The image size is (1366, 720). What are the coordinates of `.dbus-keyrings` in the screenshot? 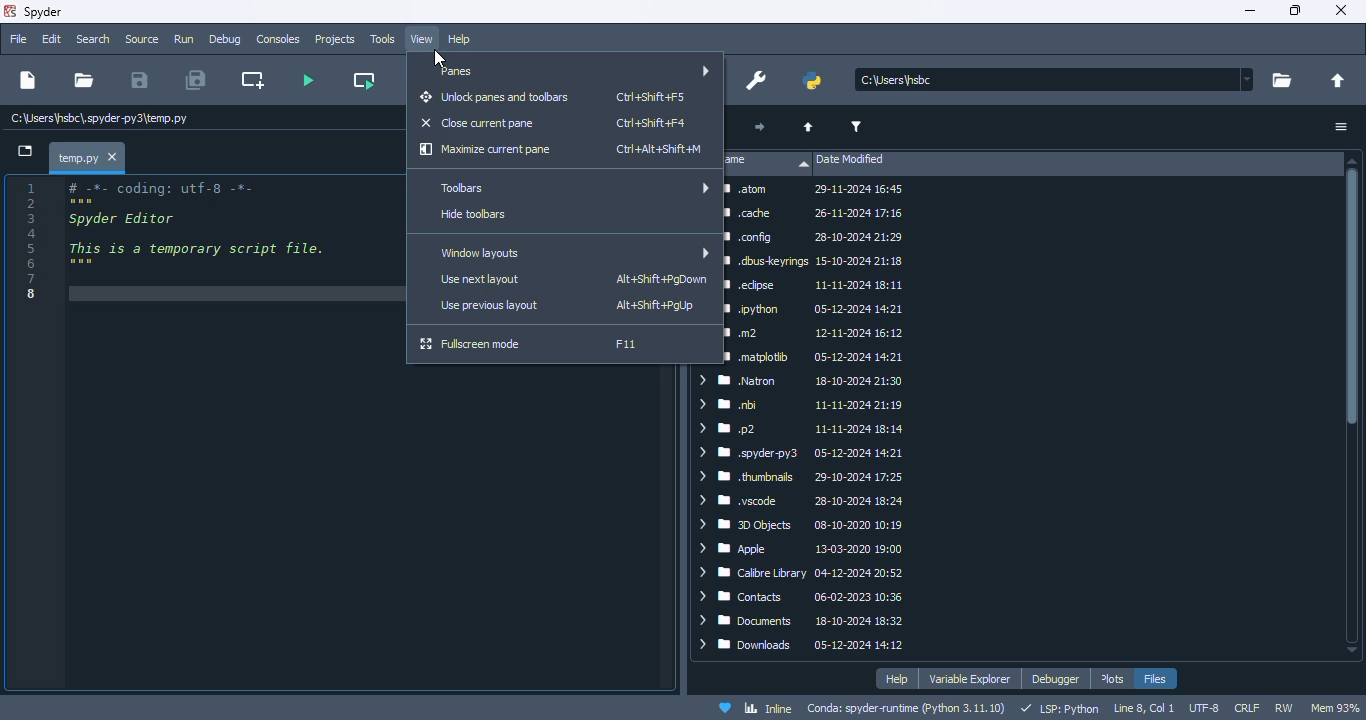 It's located at (814, 261).